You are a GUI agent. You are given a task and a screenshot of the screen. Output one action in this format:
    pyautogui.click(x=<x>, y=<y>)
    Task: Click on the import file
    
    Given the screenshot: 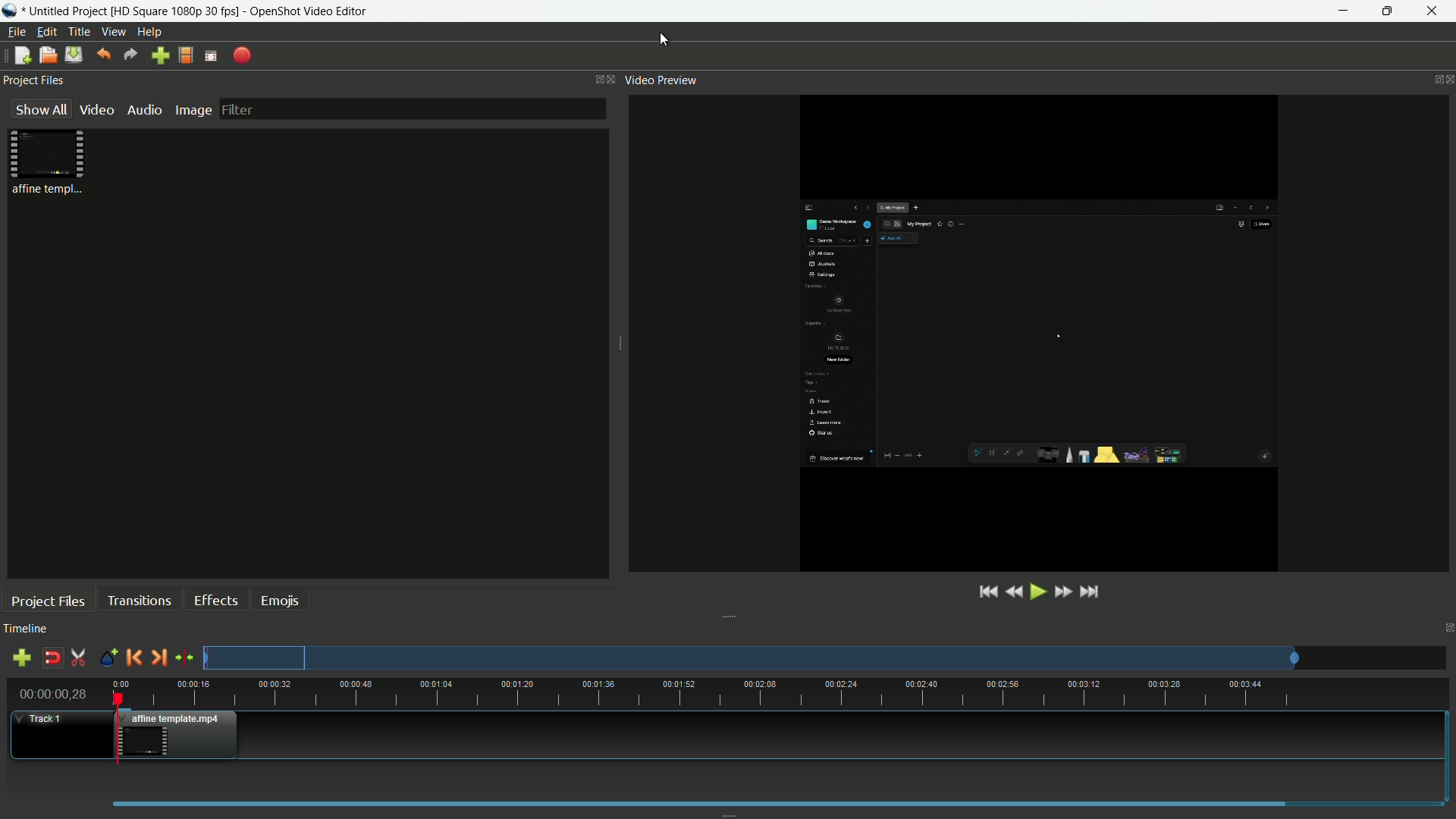 What is the action you would take?
    pyautogui.click(x=161, y=56)
    